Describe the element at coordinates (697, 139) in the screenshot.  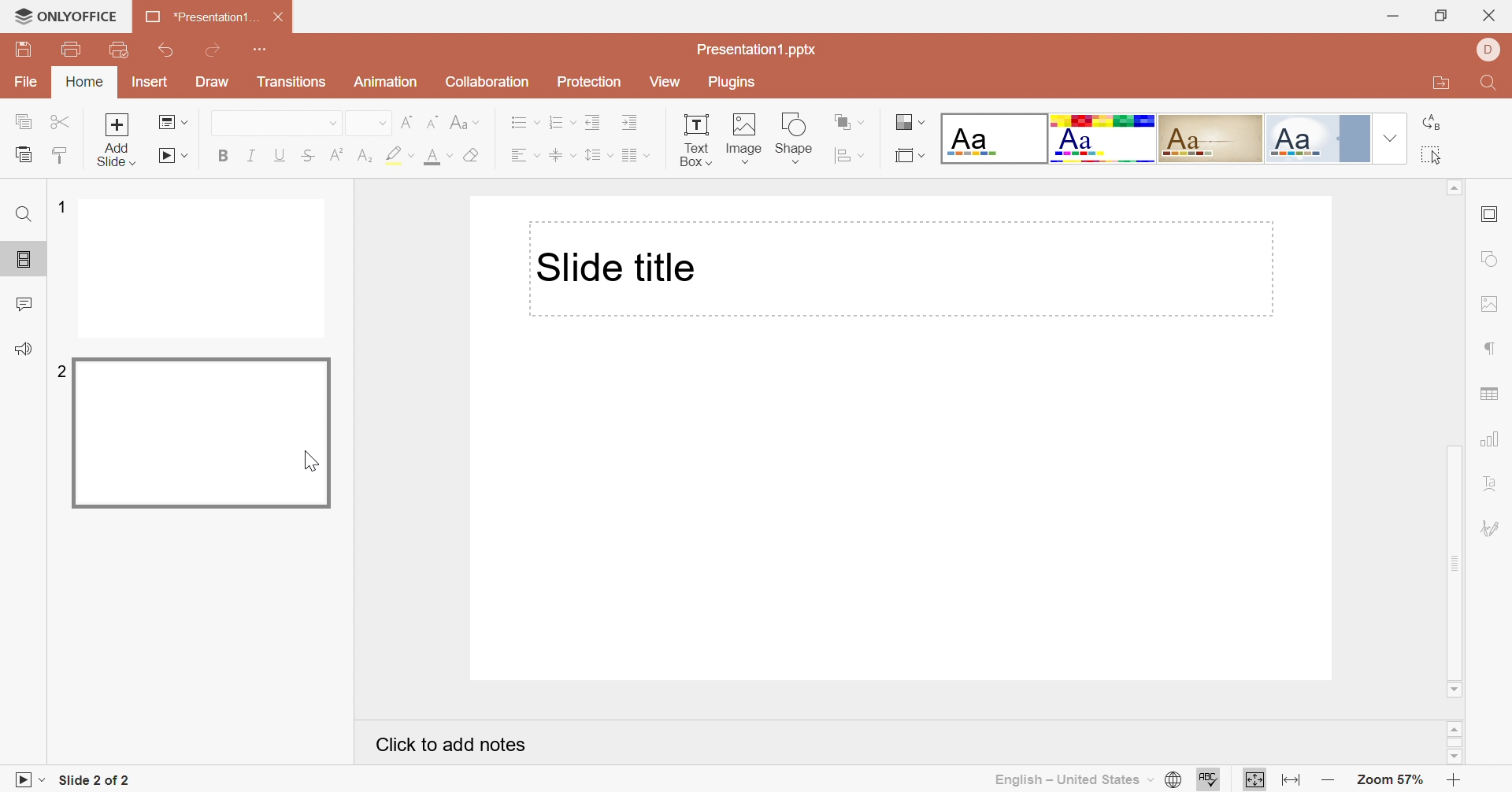
I see `Text Box` at that location.